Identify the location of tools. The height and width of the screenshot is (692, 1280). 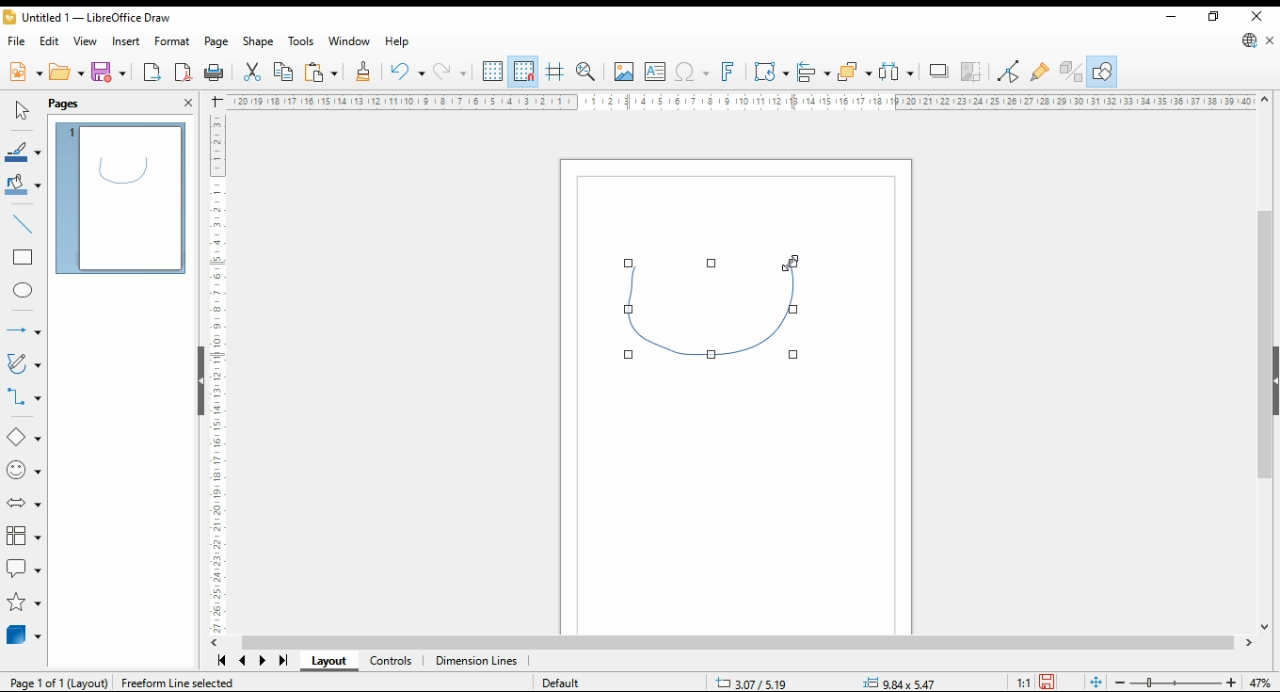
(302, 41).